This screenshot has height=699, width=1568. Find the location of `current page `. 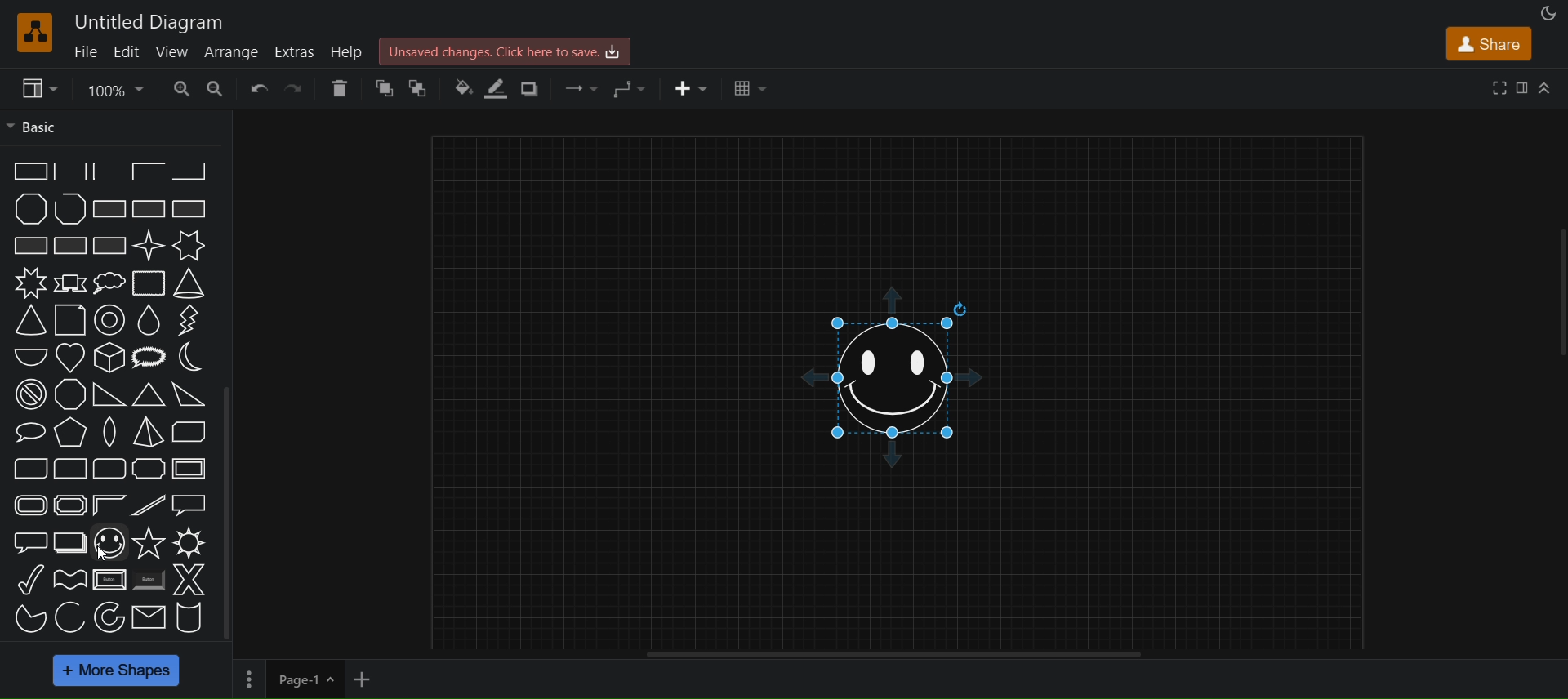

current page  is located at coordinates (304, 679).